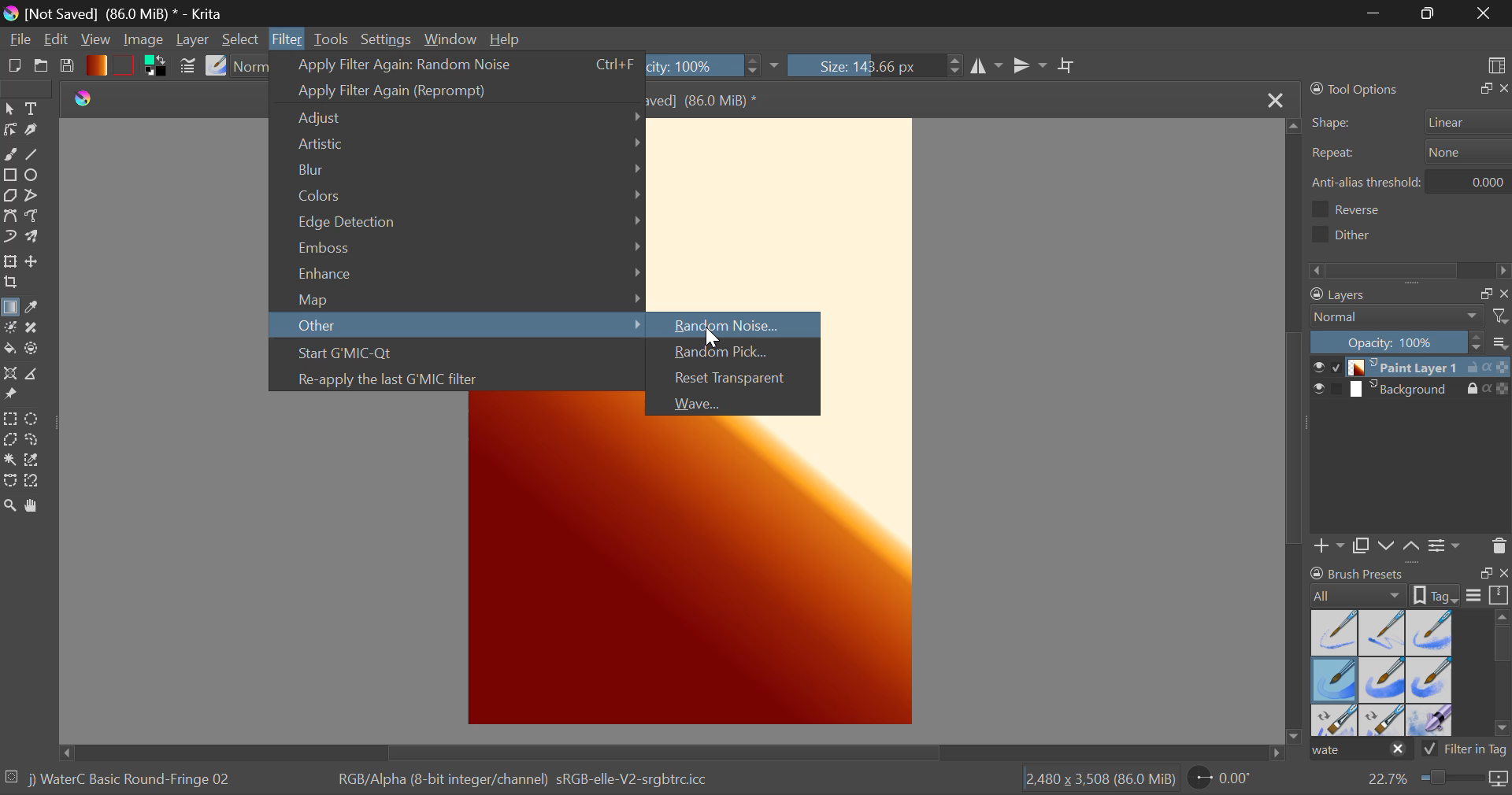  Describe the element at coordinates (9, 236) in the screenshot. I see `Dynamic Brush` at that location.